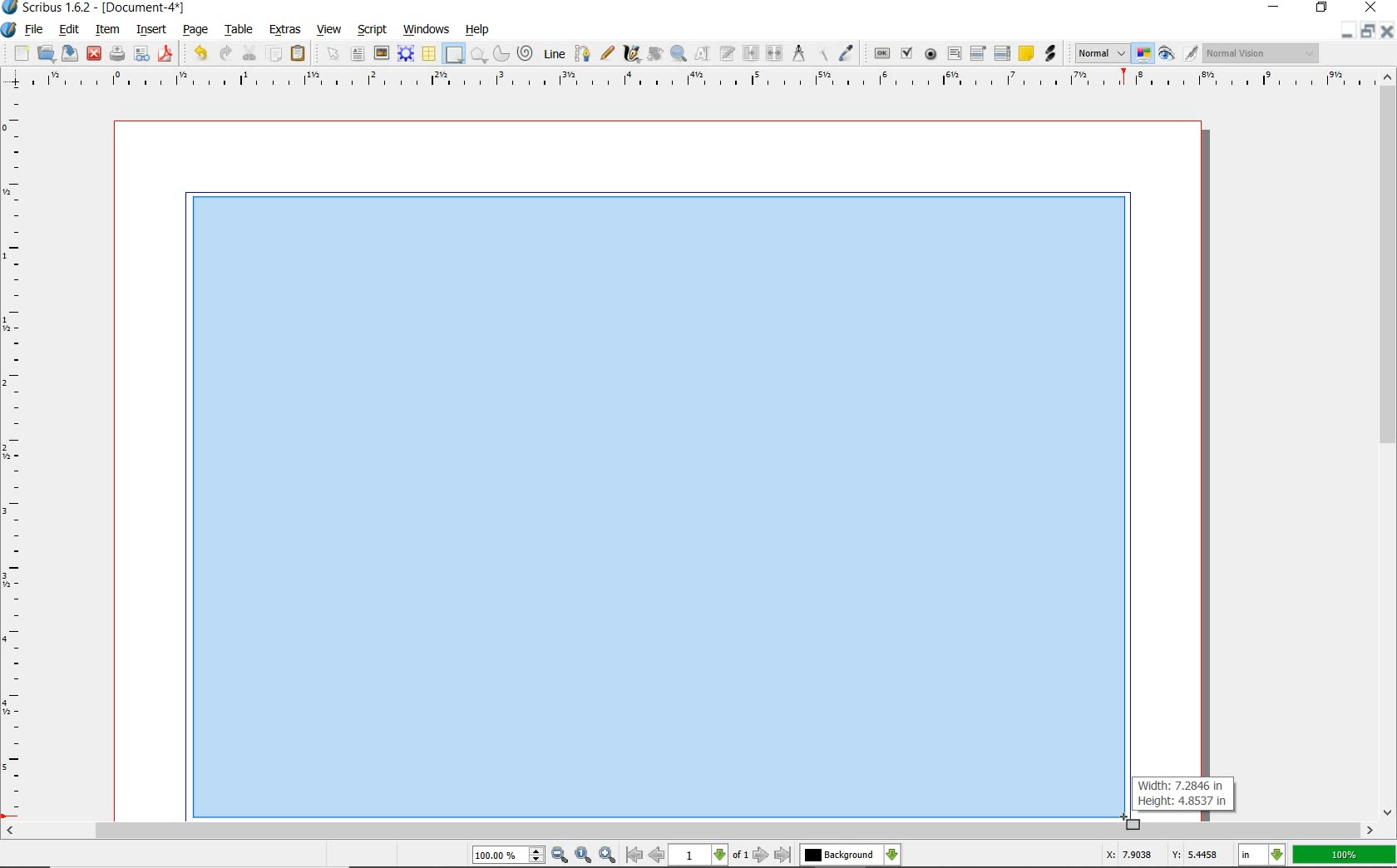 The image size is (1397, 868). Describe the element at coordinates (879, 52) in the screenshot. I see `pdf push button` at that location.